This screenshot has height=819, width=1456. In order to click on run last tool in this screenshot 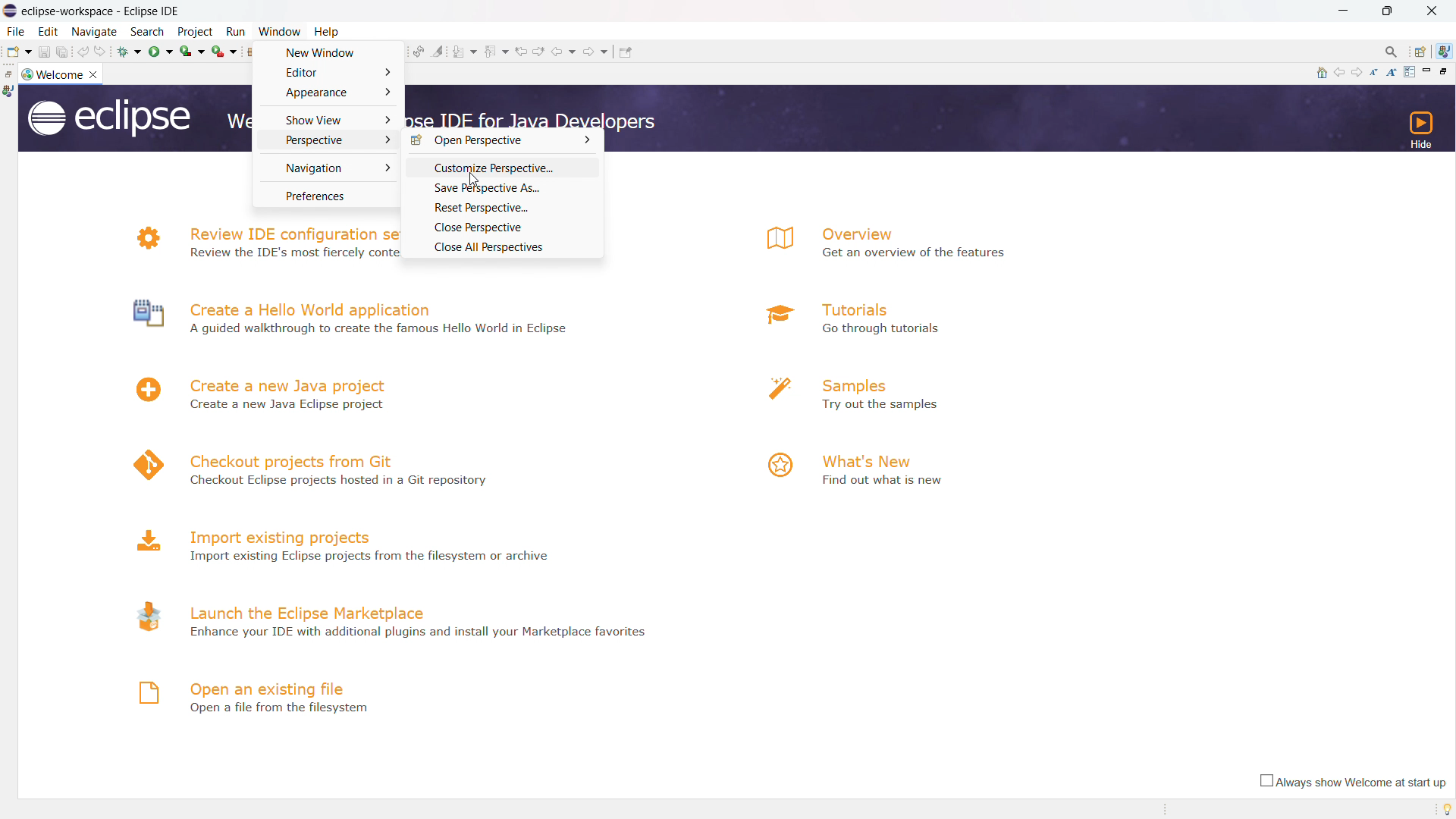, I will do `click(224, 51)`.